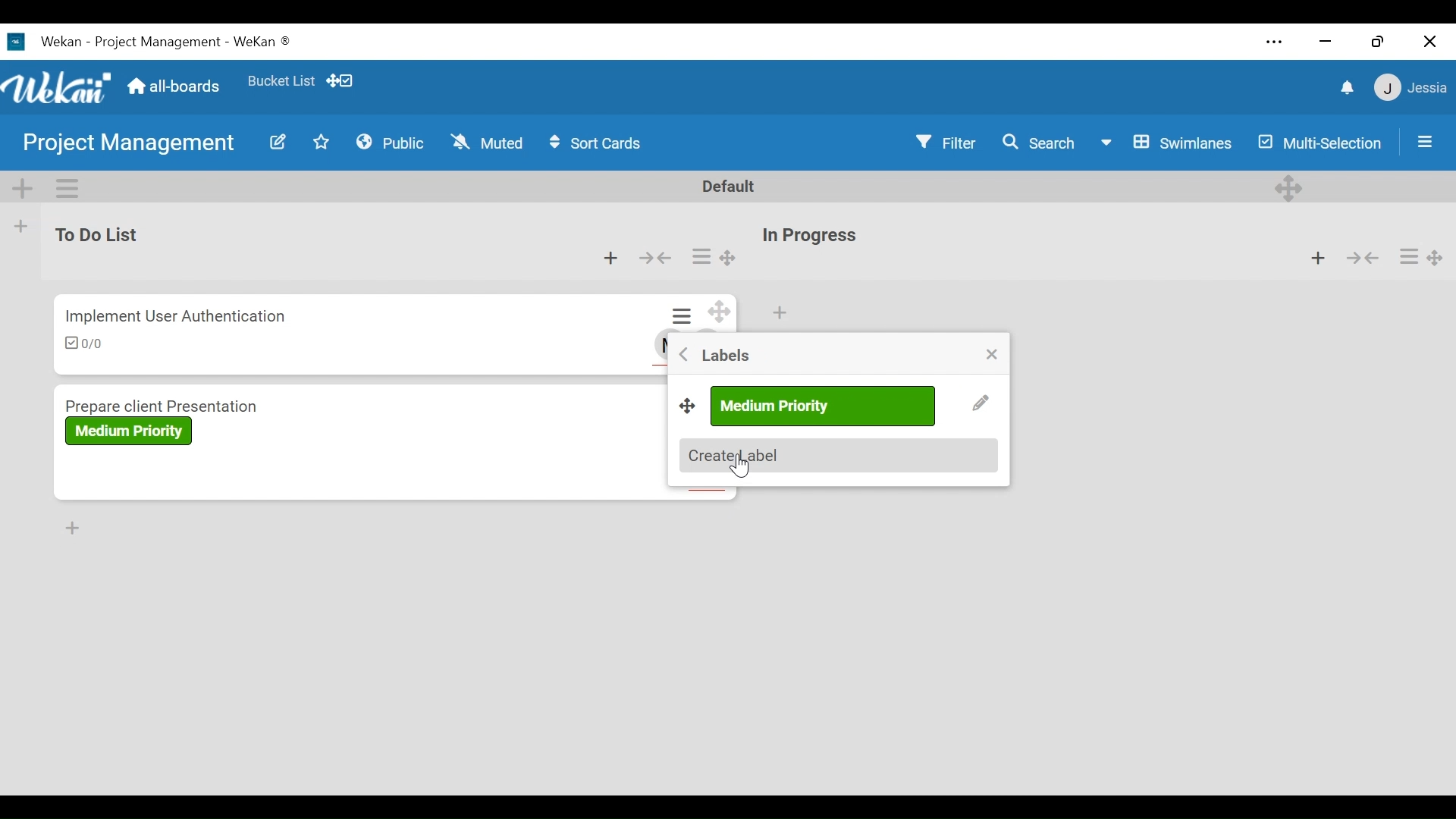  Describe the element at coordinates (779, 313) in the screenshot. I see `Add card to top of the list` at that location.